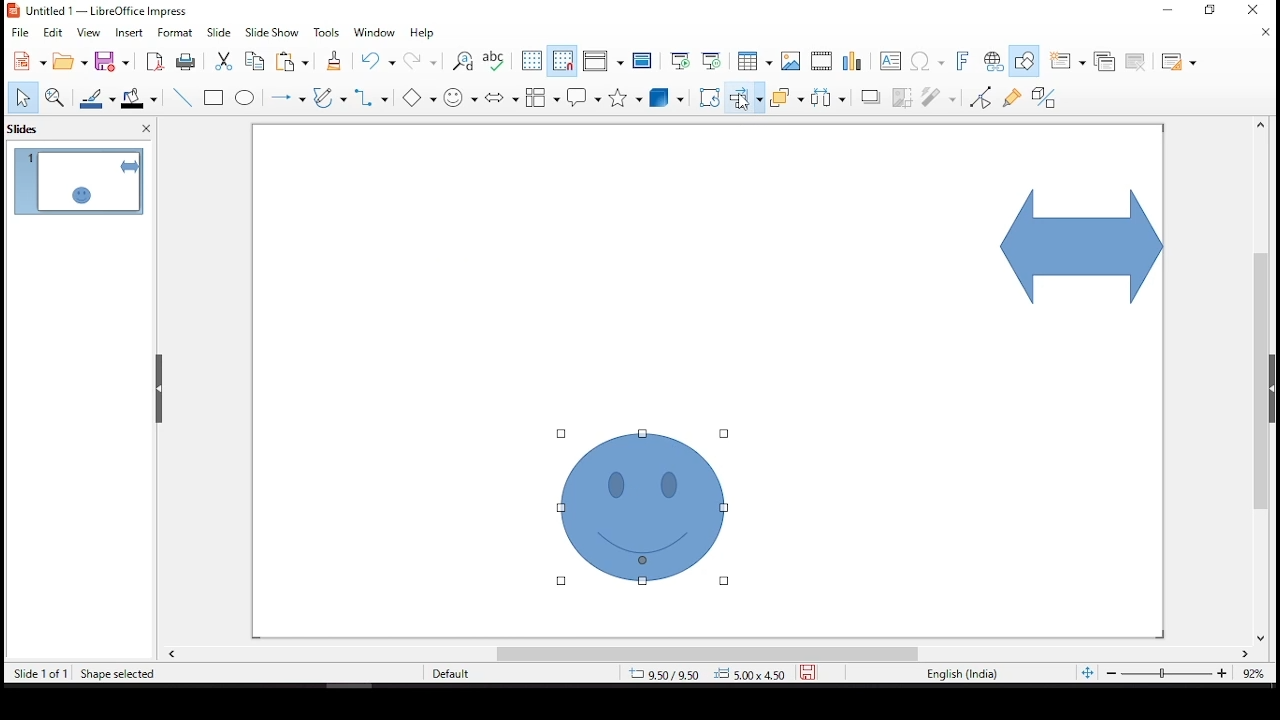  Describe the element at coordinates (161, 389) in the screenshot. I see `drag handles` at that location.